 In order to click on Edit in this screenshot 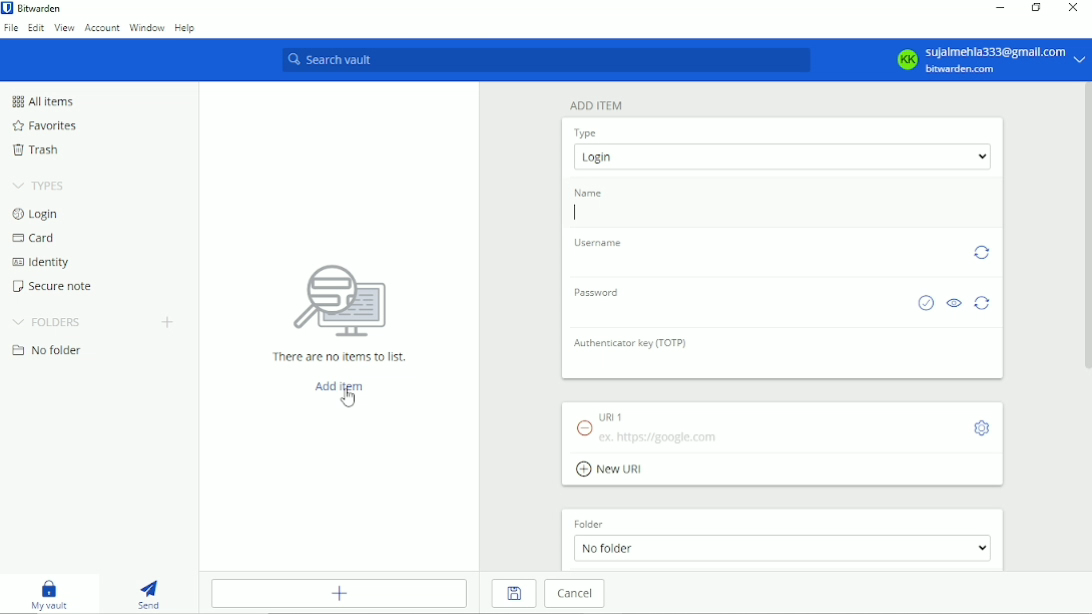, I will do `click(36, 28)`.